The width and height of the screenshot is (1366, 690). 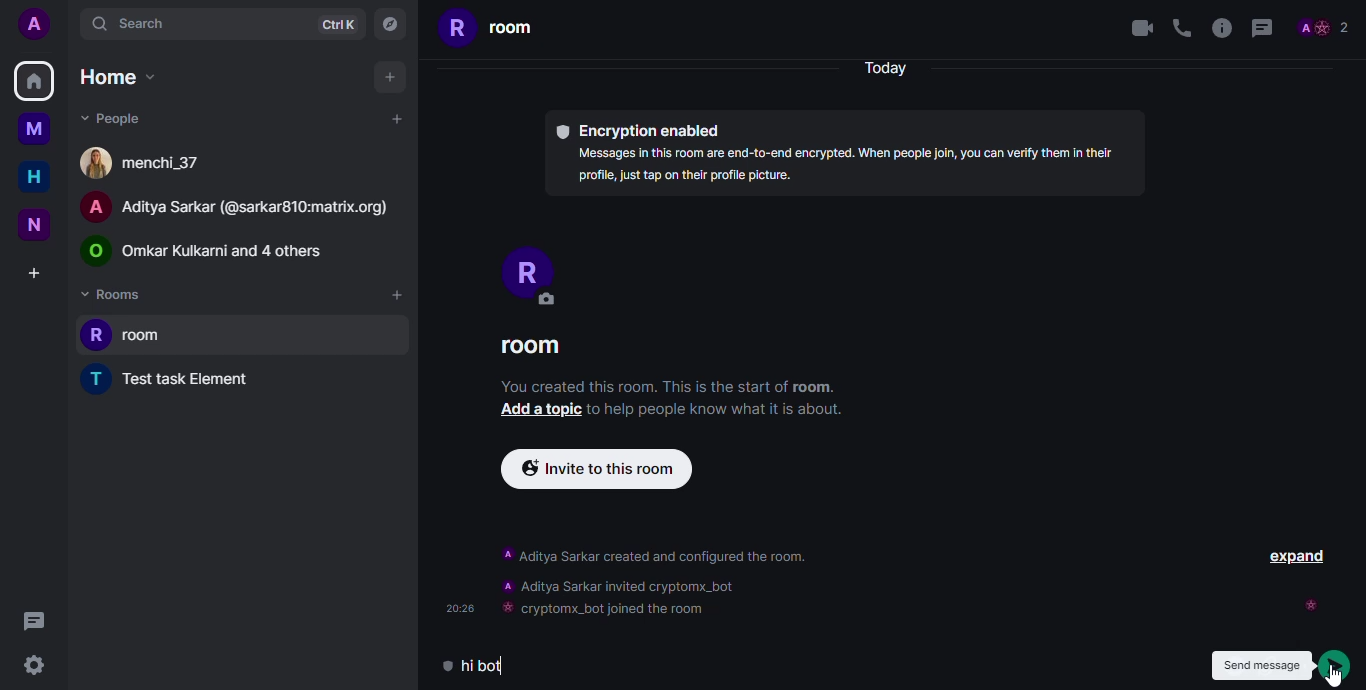 I want to click on video call, so click(x=1141, y=28).